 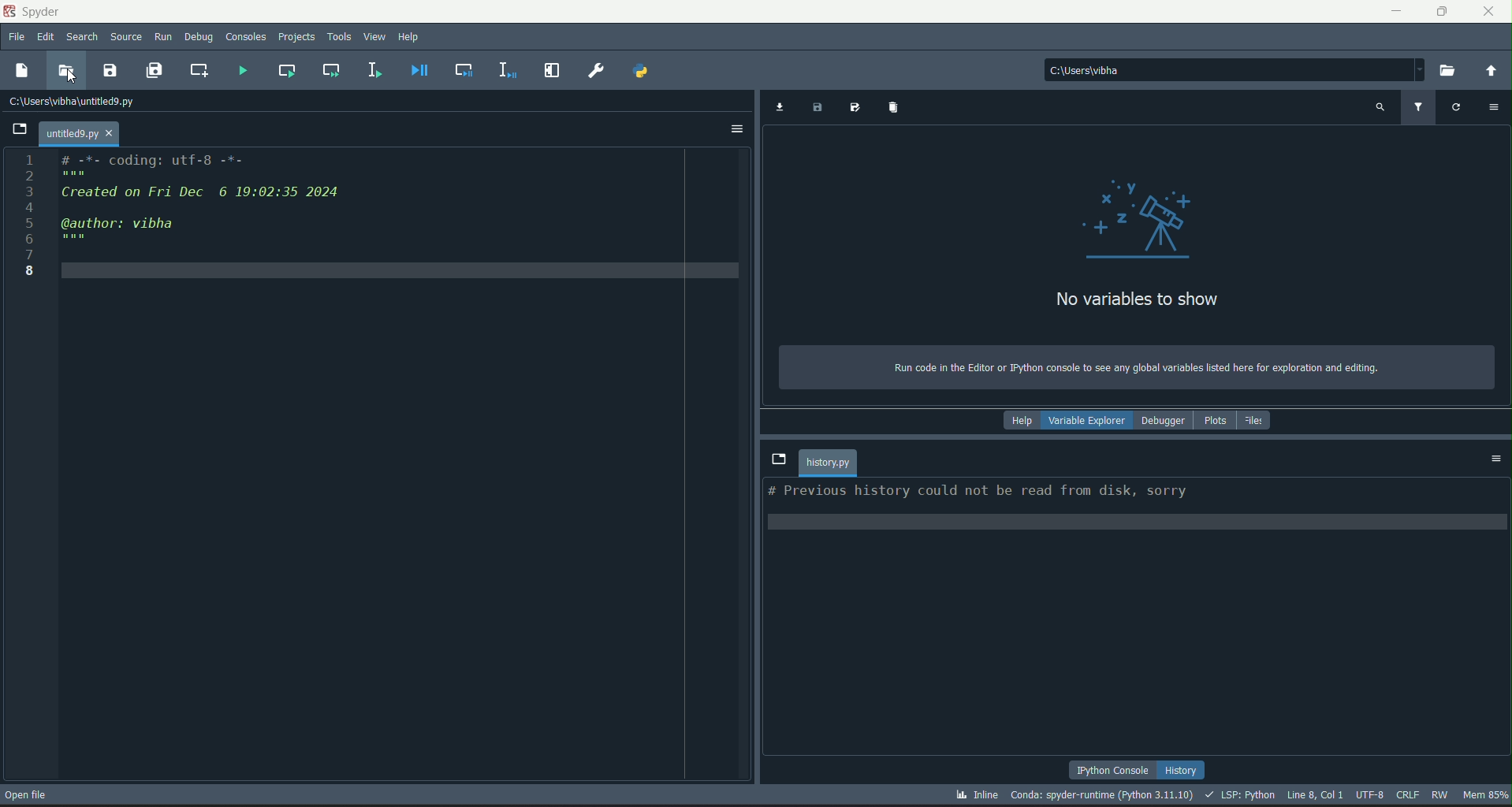 What do you see at coordinates (553, 71) in the screenshot?
I see `maximize current pane` at bounding box center [553, 71].